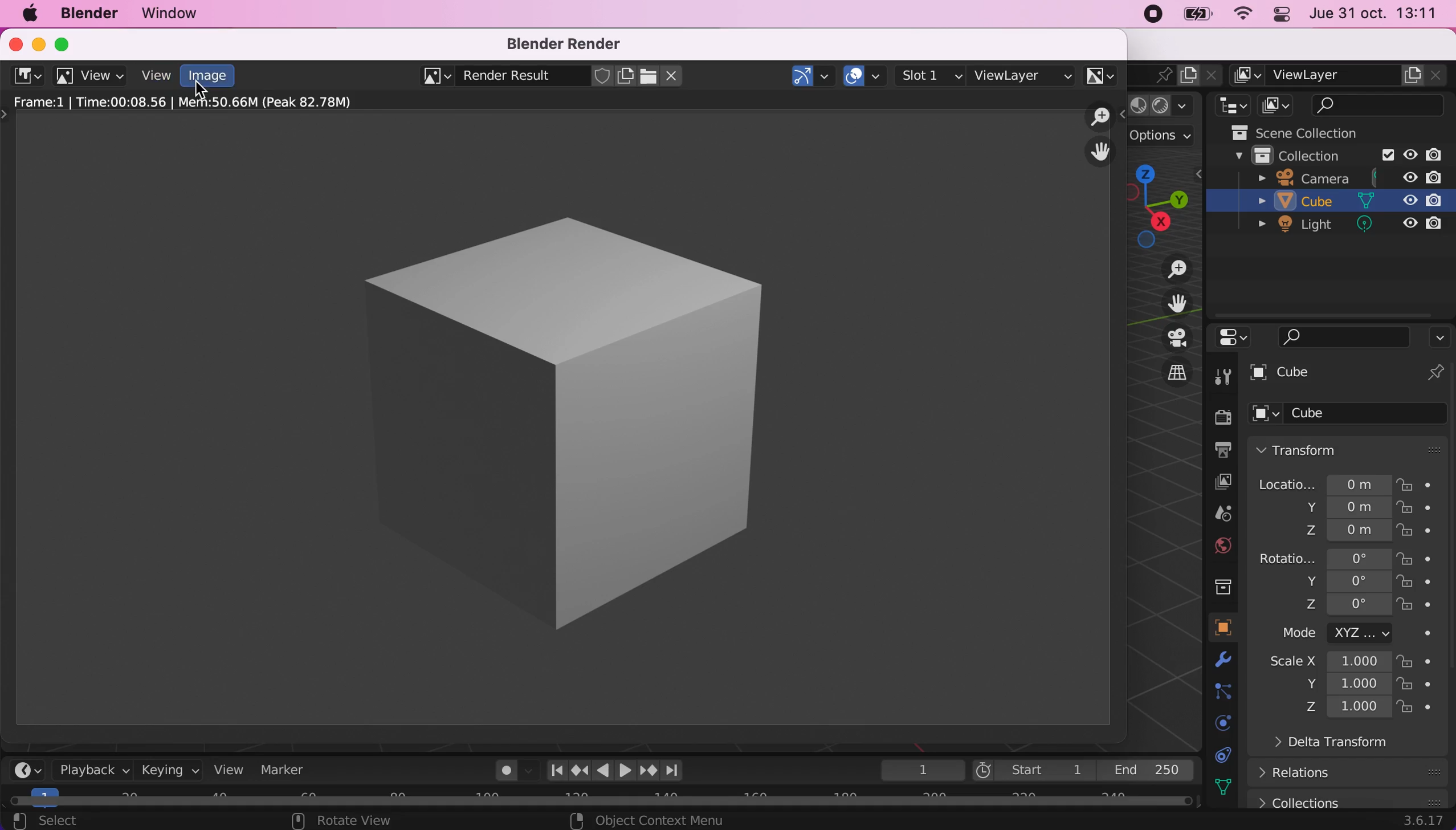 The image size is (1456, 830). I want to click on relations, so click(1302, 773).